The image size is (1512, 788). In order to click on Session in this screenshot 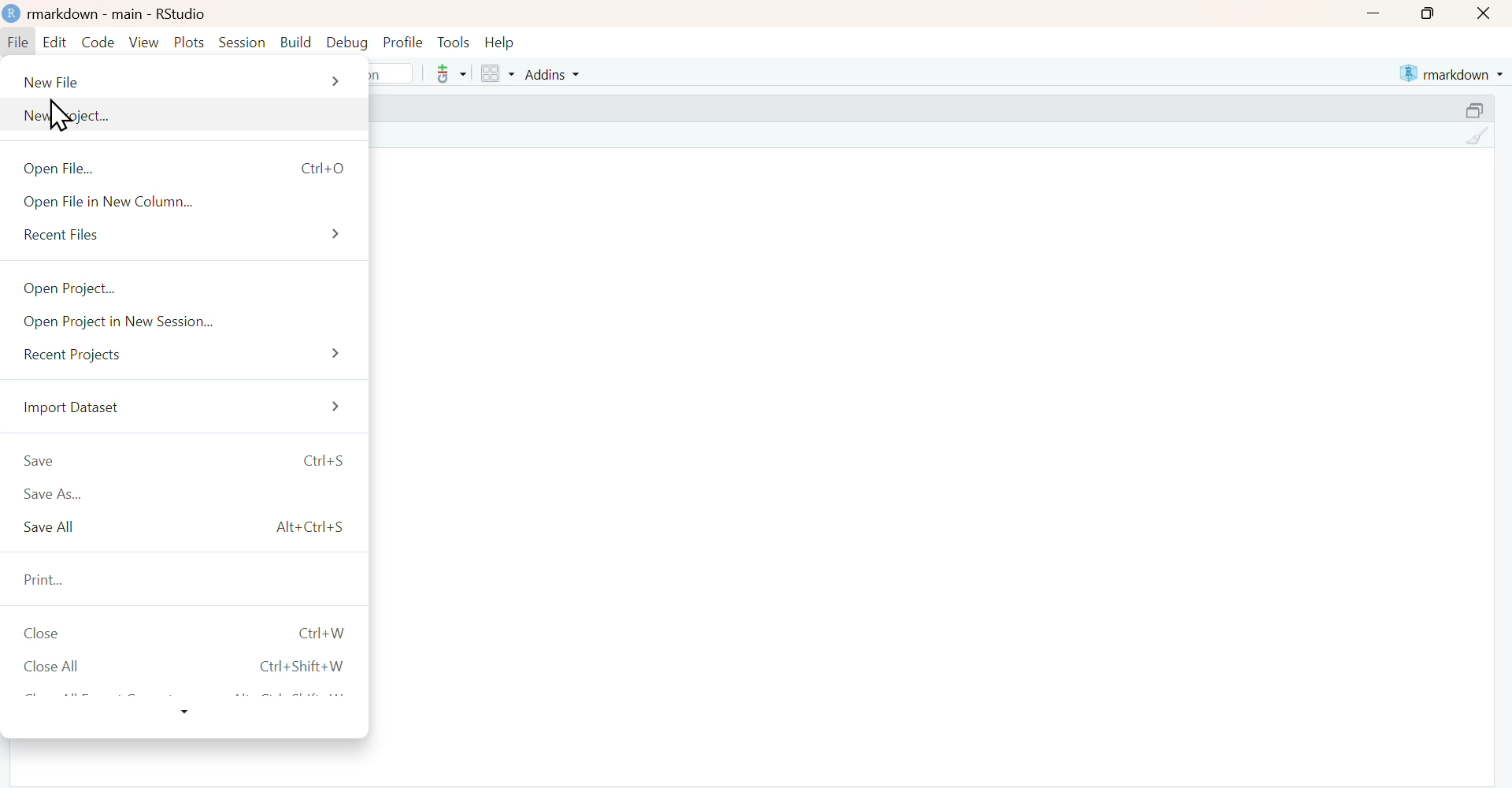, I will do `click(243, 43)`.